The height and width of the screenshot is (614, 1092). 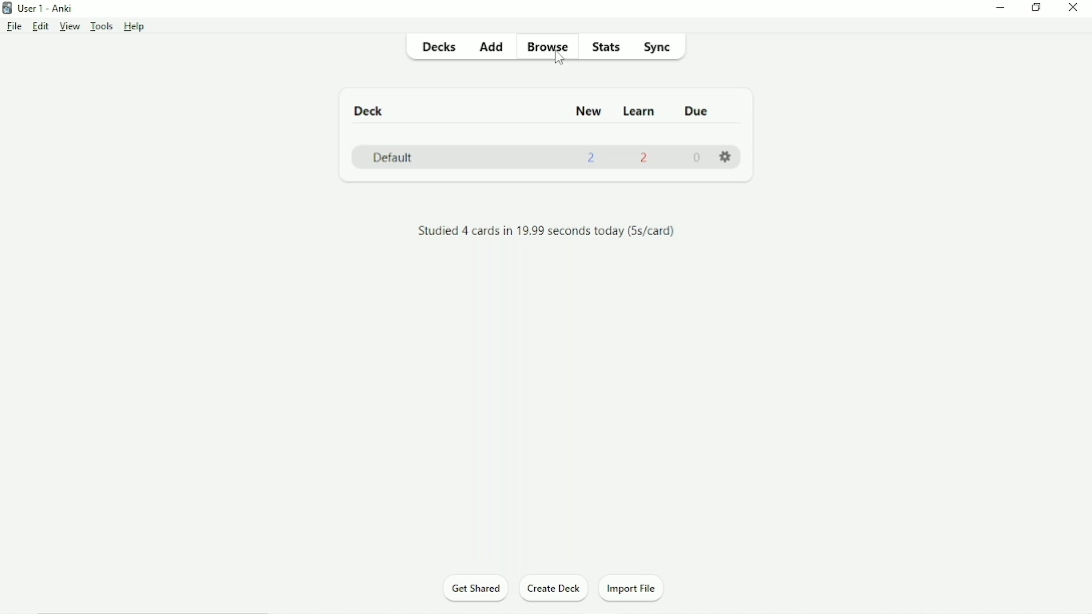 What do you see at coordinates (70, 27) in the screenshot?
I see `View` at bounding box center [70, 27].